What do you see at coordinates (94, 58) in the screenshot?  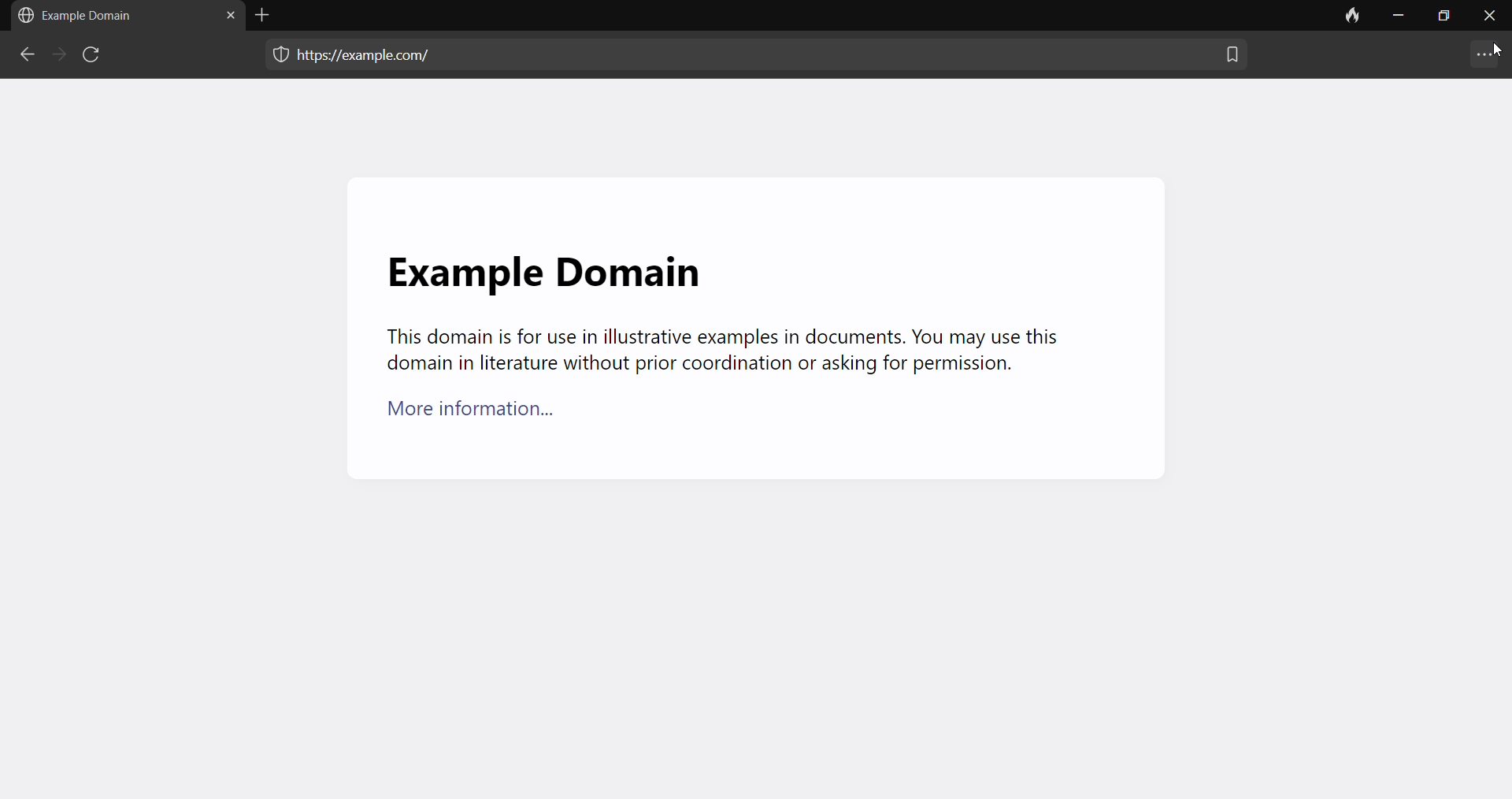 I see `reload` at bounding box center [94, 58].